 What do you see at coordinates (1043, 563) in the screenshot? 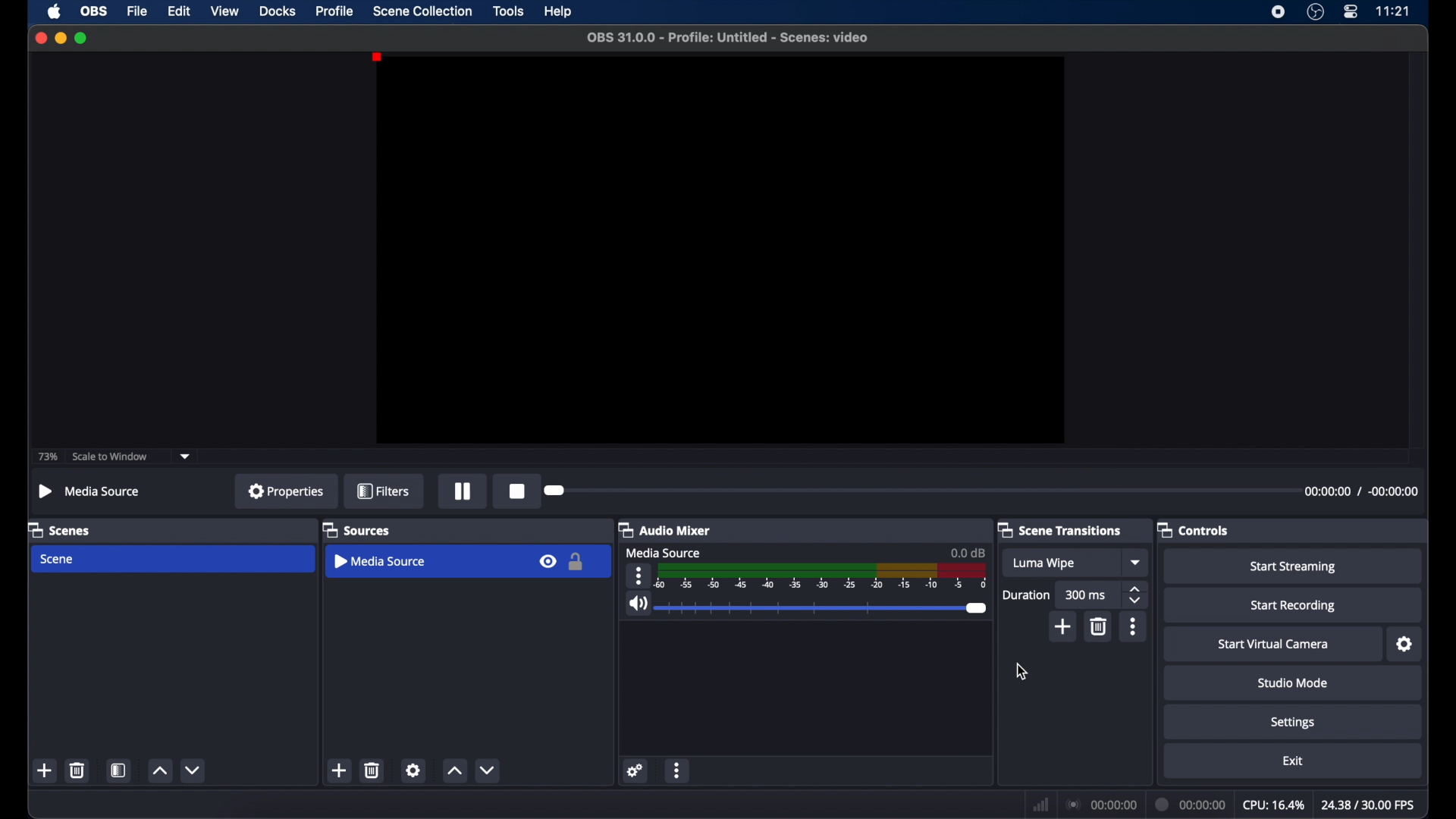
I see `luma wipe` at bounding box center [1043, 563].